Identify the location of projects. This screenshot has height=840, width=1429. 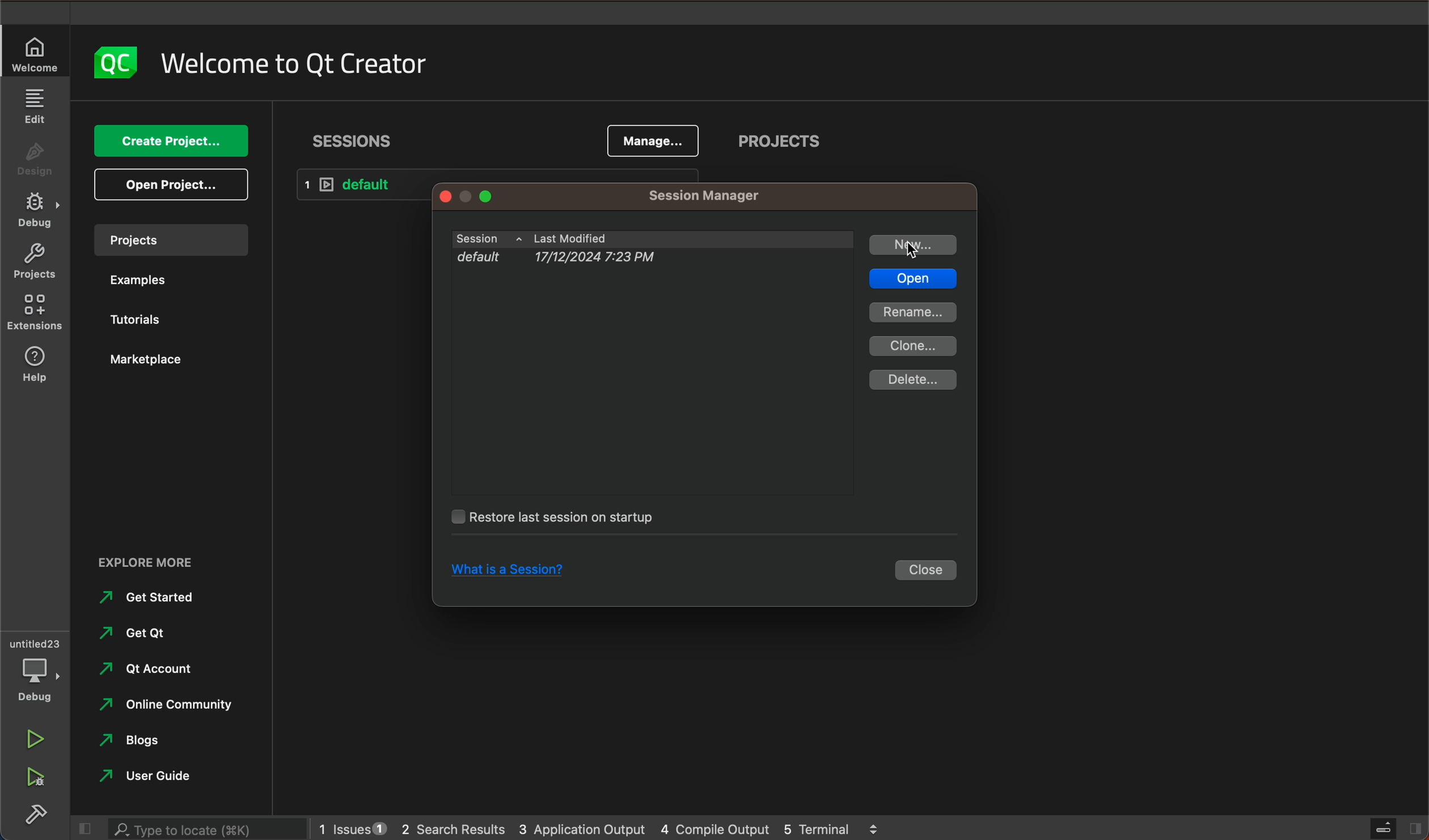
(170, 239).